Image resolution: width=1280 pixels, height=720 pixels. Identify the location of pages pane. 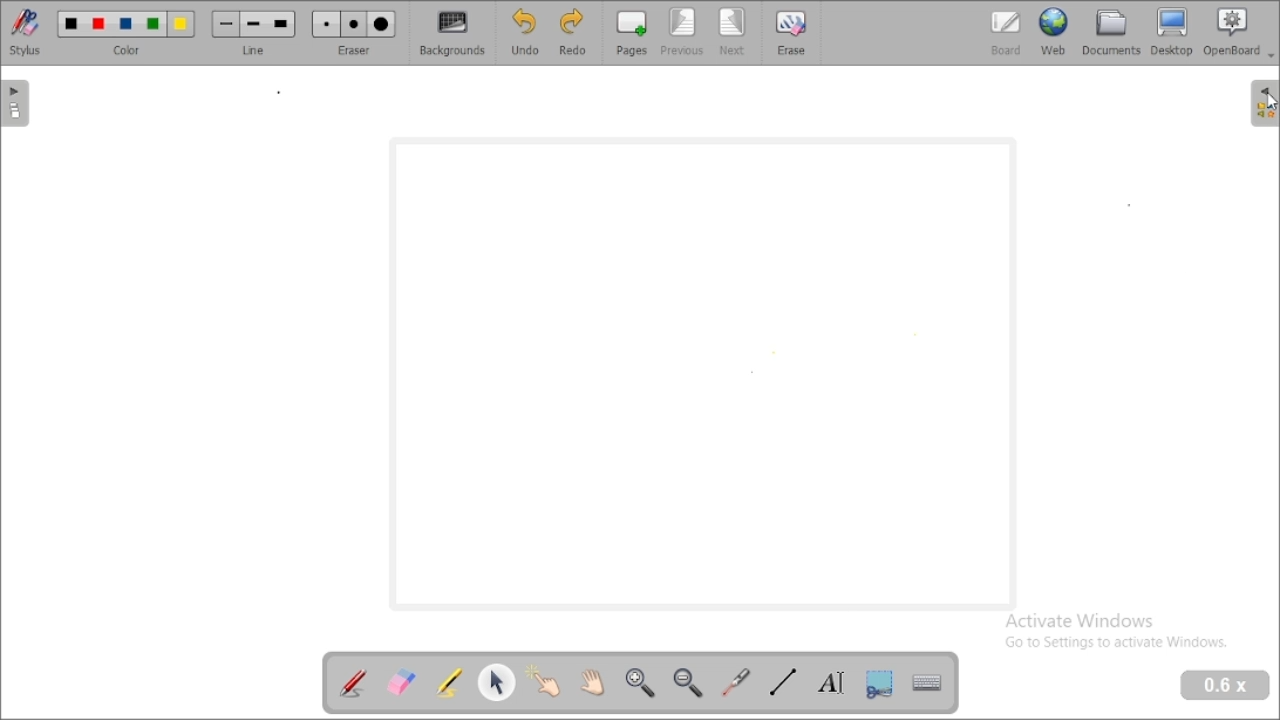
(18, 103).